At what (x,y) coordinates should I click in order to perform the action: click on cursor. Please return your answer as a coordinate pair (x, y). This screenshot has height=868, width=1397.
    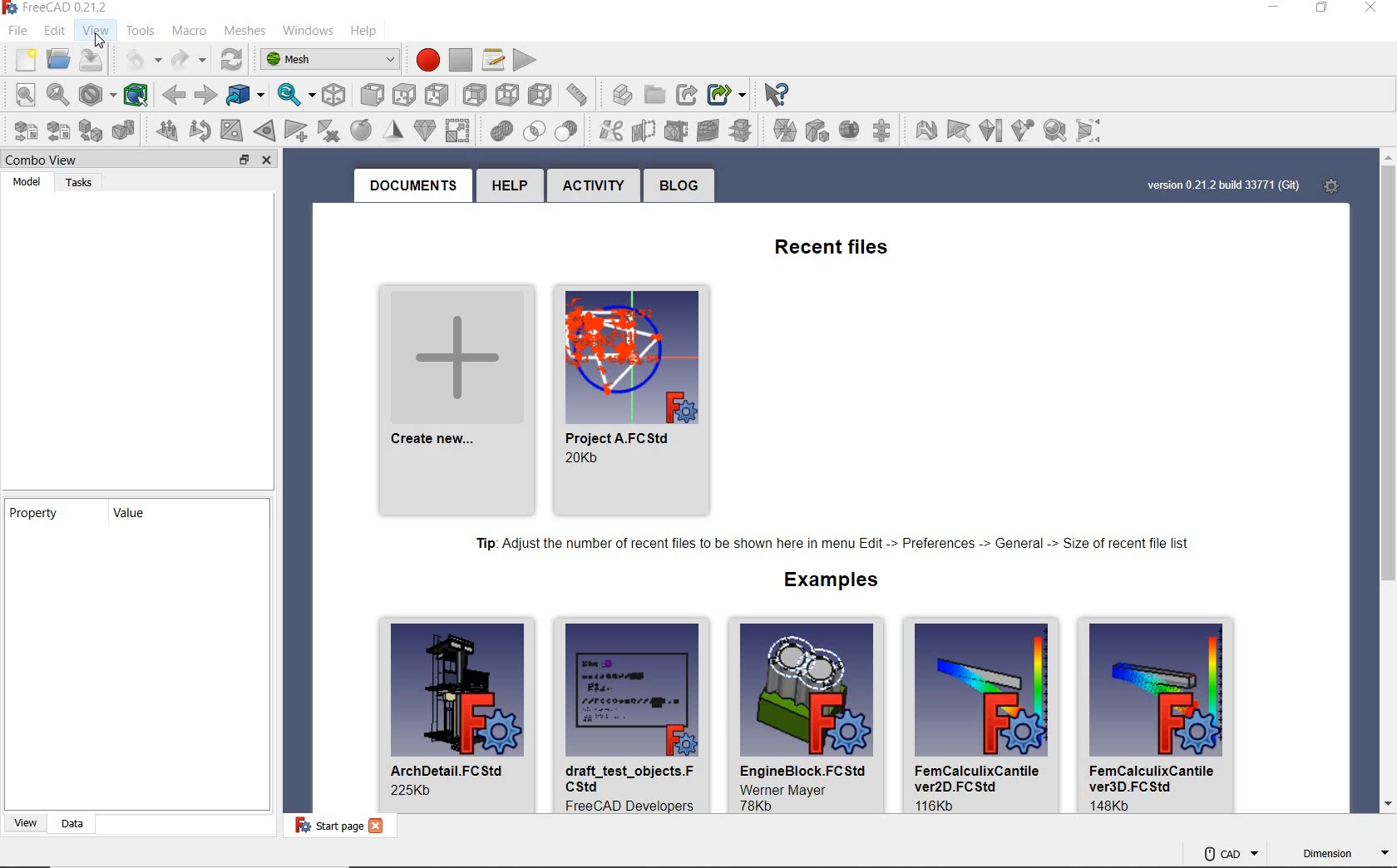
    Looking at the image, I should click on (99, 40).